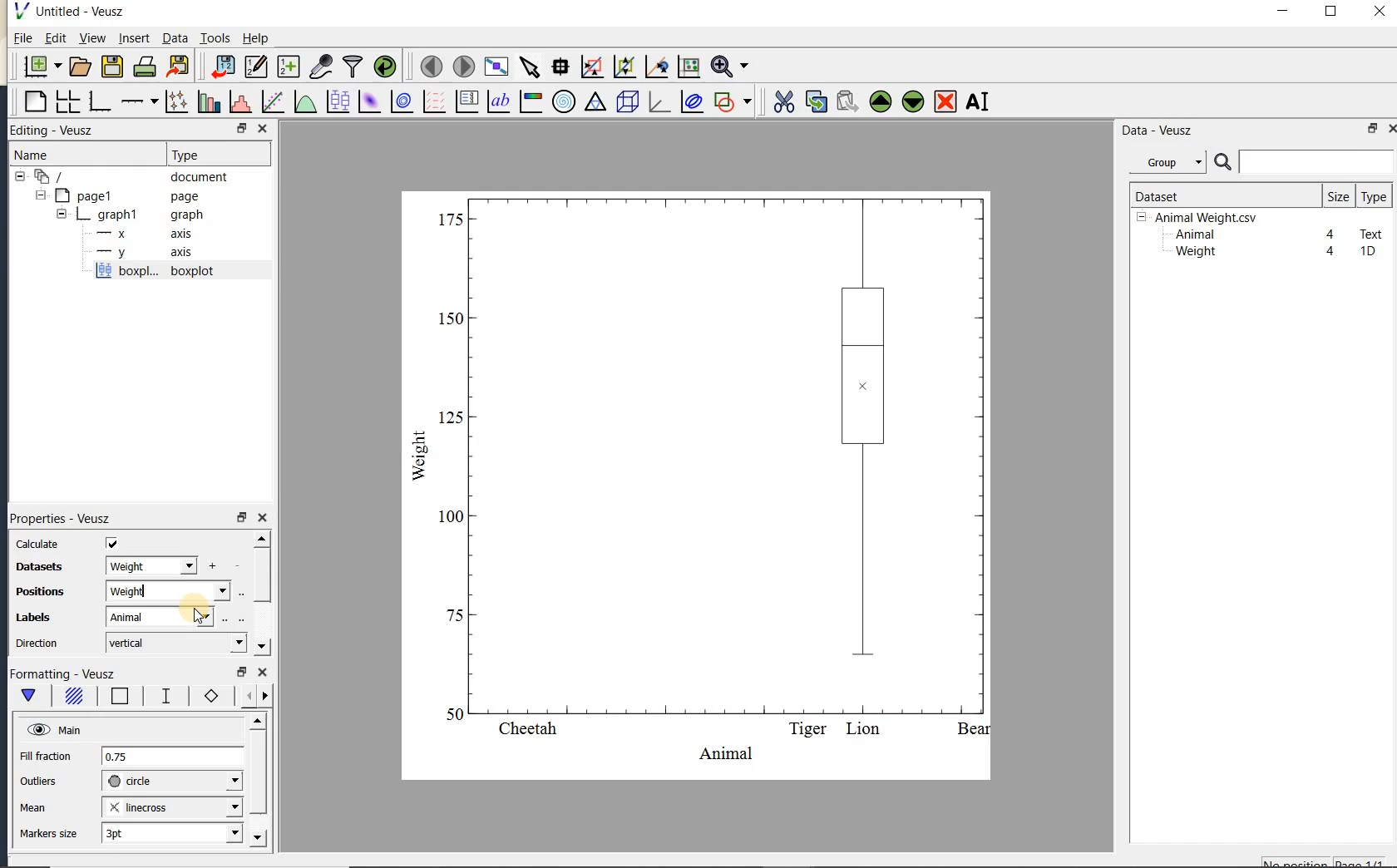 This screenshot has width=1397, height=868. I want to click on close, so click(263, 519).